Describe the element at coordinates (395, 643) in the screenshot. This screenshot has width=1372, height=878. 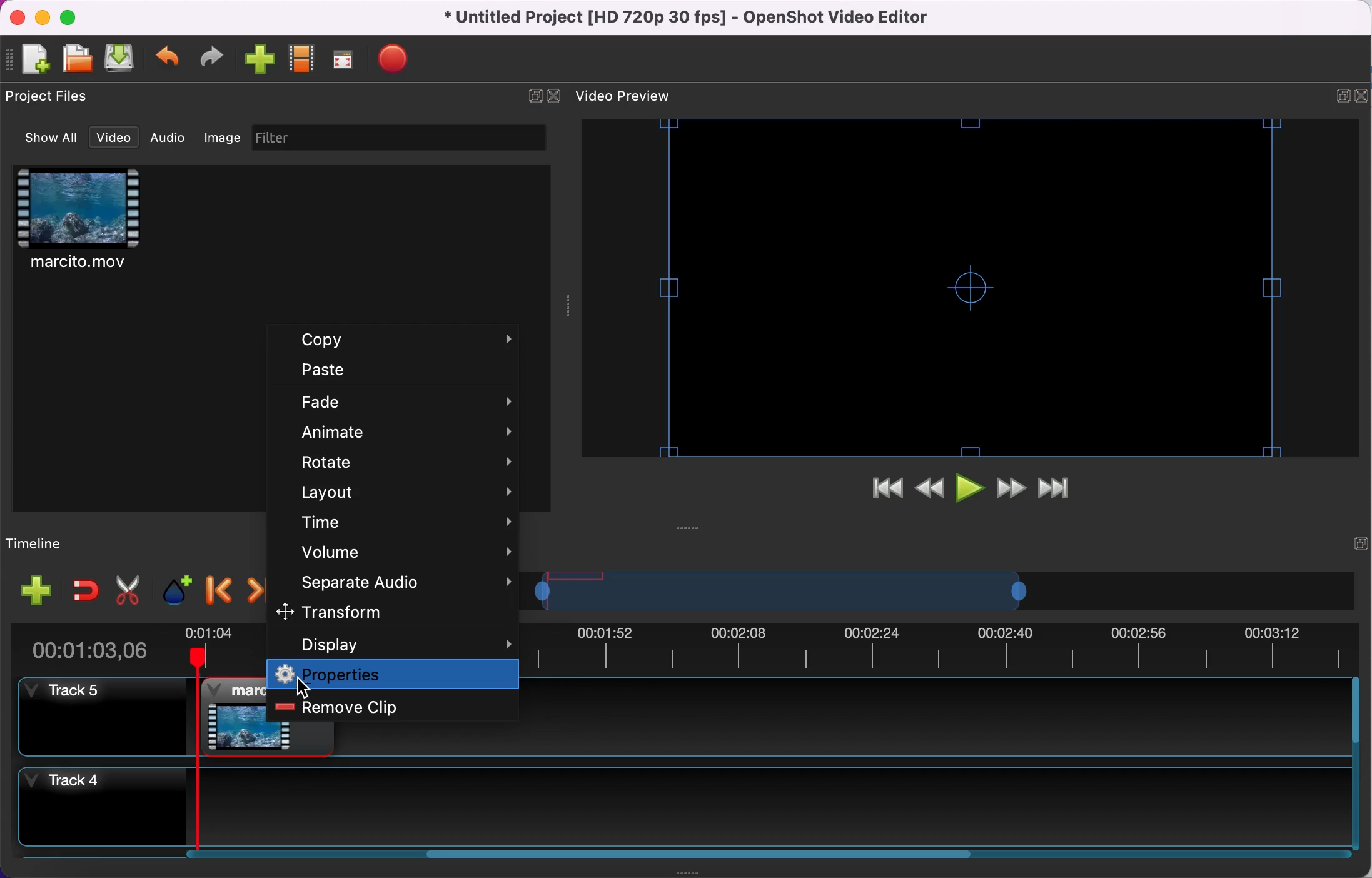
I see `display` at that location.